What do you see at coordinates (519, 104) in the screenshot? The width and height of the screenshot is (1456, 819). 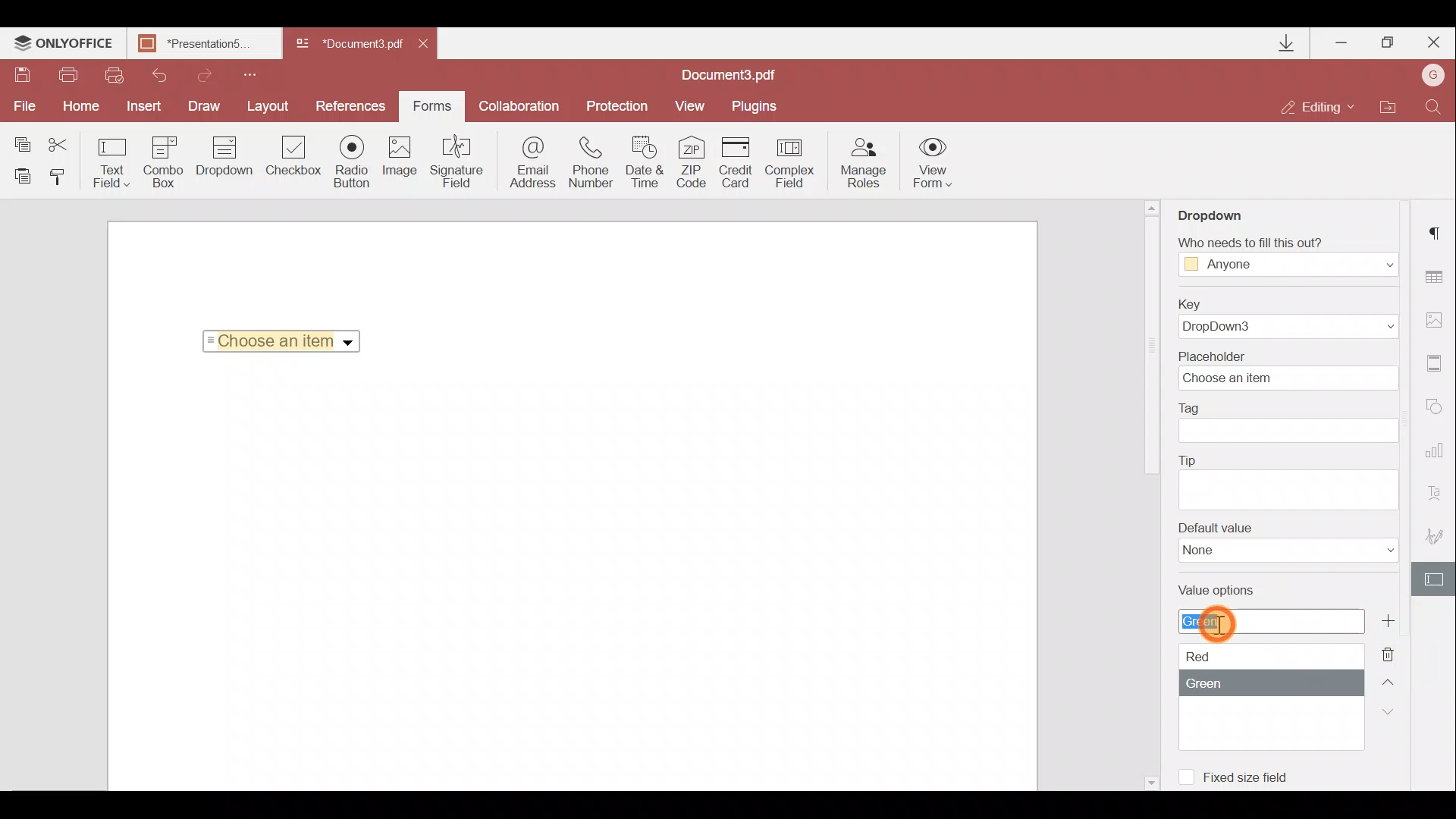 I see `Collaboration` at bounding box center [519, 104].